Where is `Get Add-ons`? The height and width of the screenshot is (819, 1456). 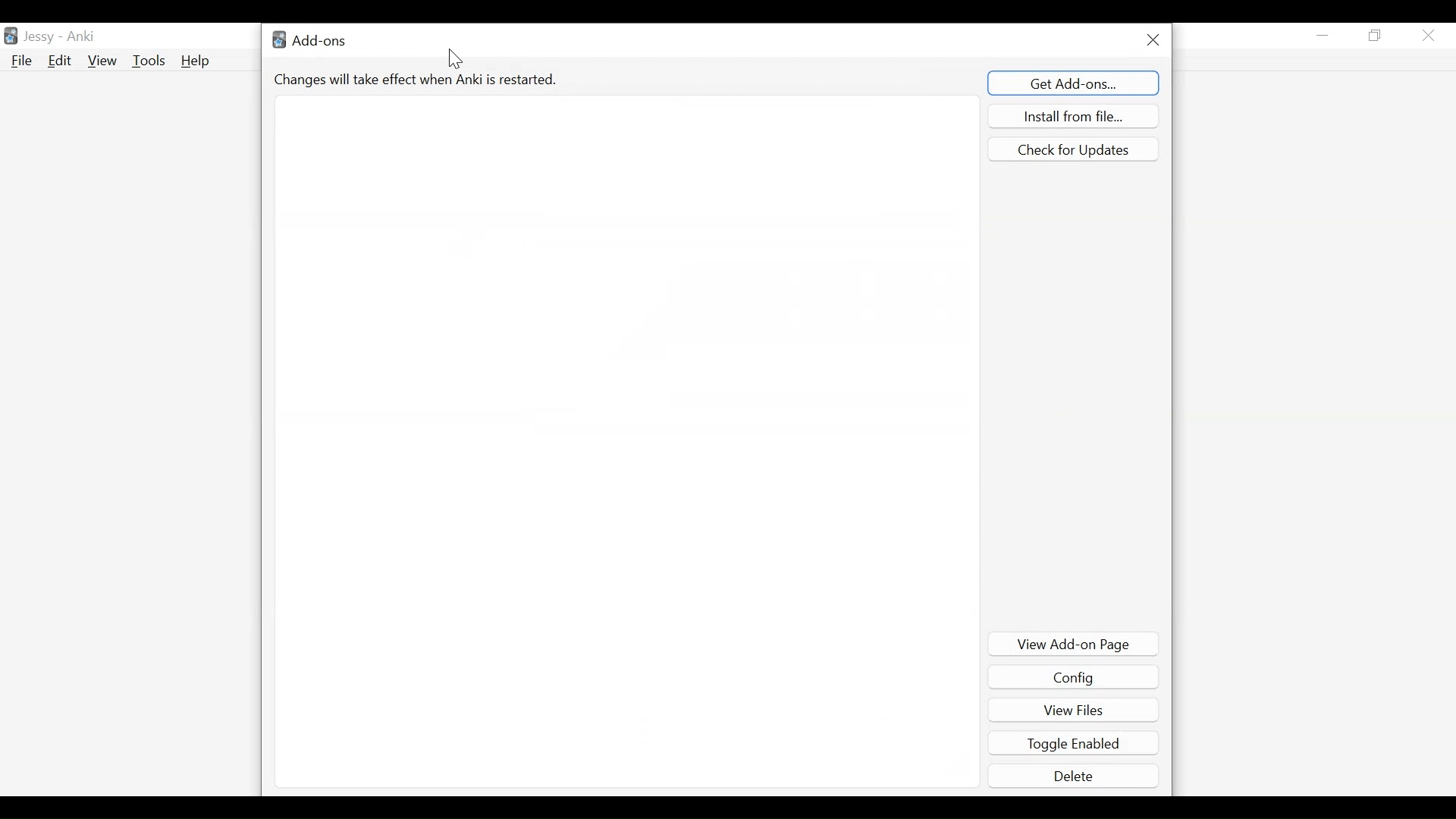 Get Add-ons is located at coordinates (1075, 82).